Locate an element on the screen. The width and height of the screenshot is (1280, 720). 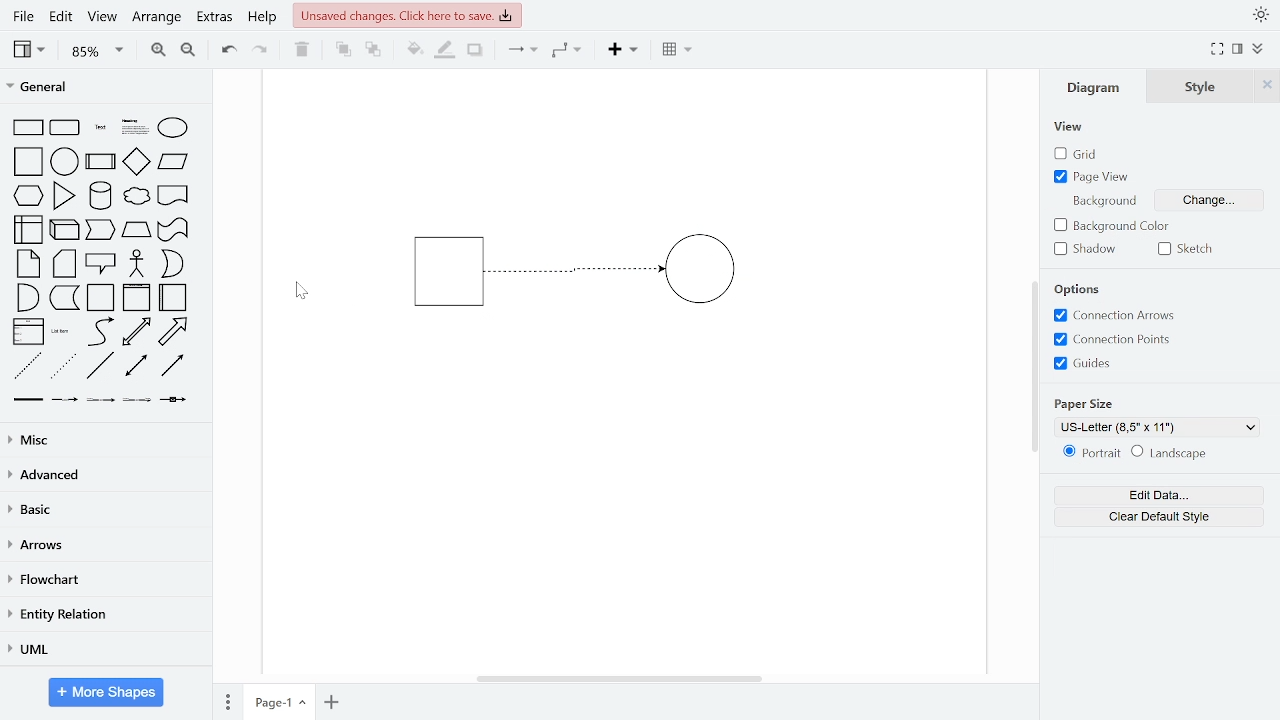
tape is located at coordinates (171, 230).